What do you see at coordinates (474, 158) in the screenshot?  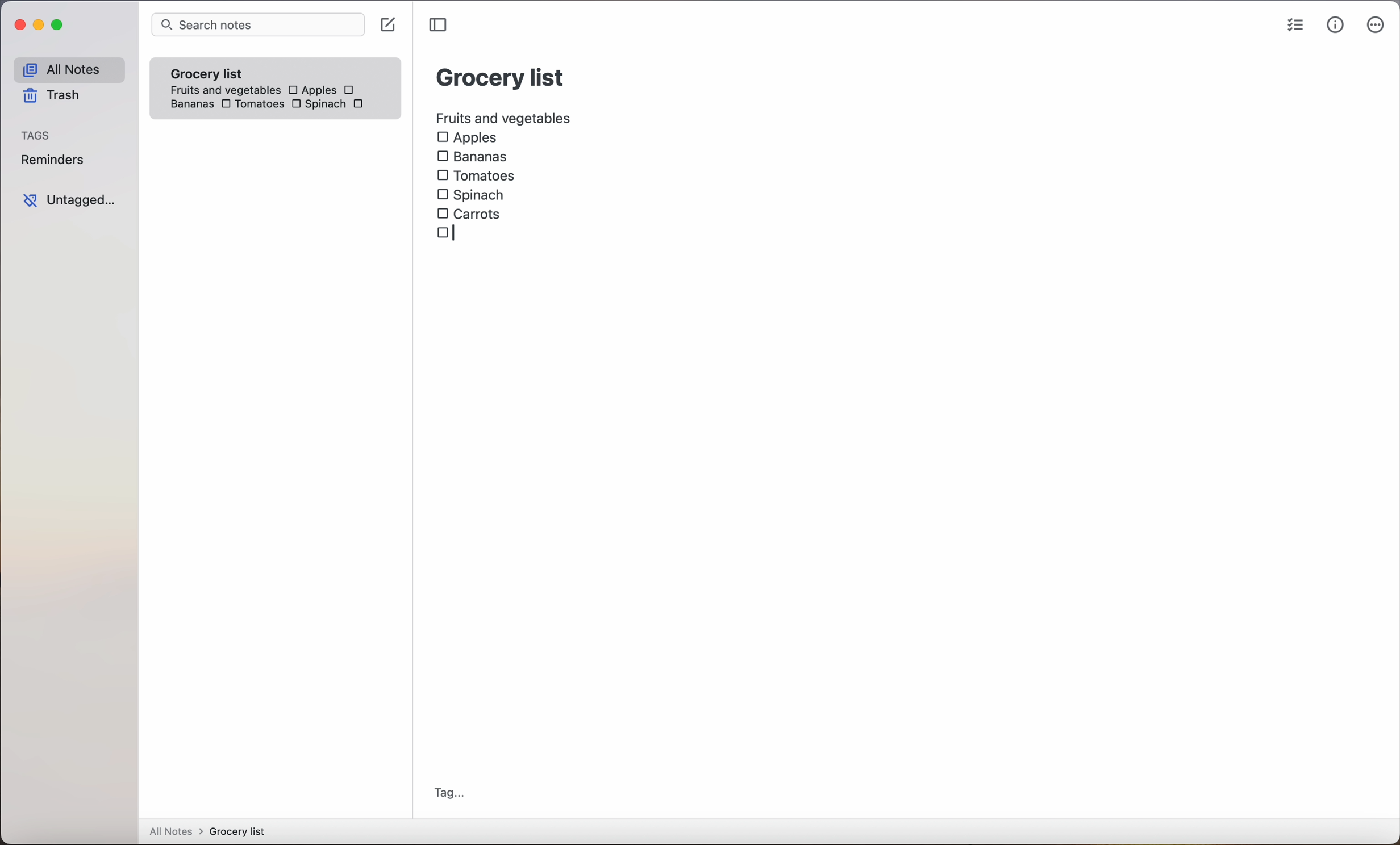 I see `Bananas checkbox` at bounding box center [474, 158].